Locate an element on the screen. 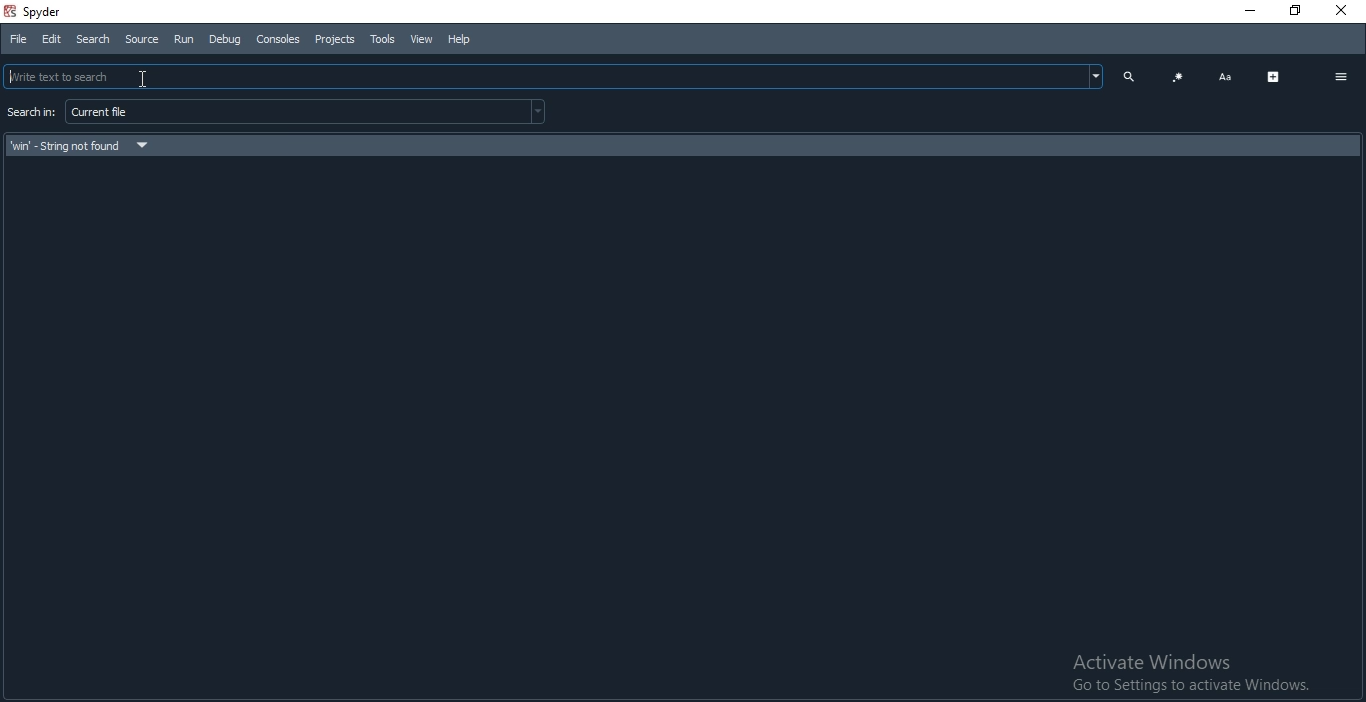 This screenshot has width=1366, height=702. options is located at coordinates (1341, 76).